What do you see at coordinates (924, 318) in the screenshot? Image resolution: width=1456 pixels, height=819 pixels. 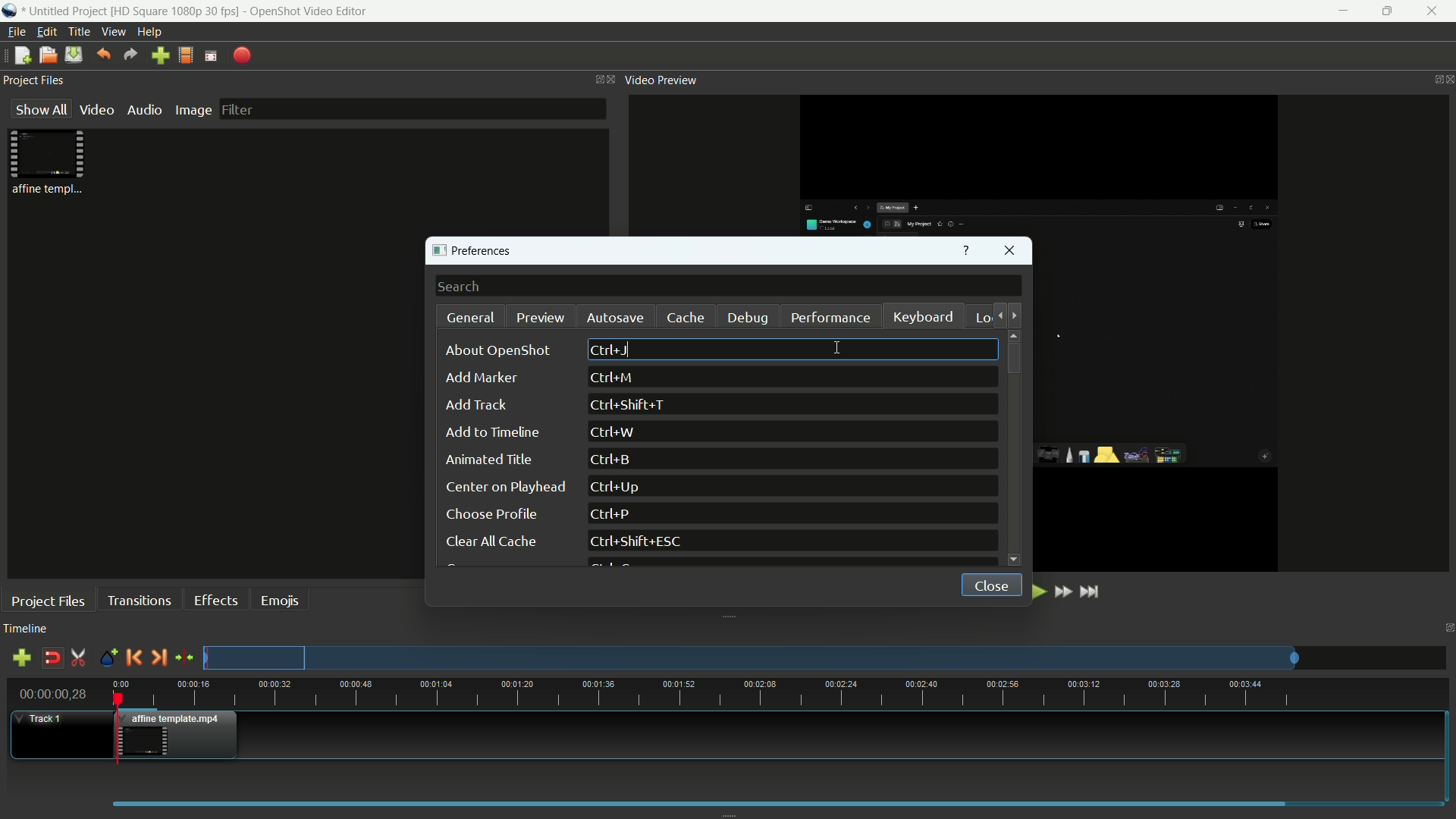 I see `keyboard` at bounding box center [924, 318].